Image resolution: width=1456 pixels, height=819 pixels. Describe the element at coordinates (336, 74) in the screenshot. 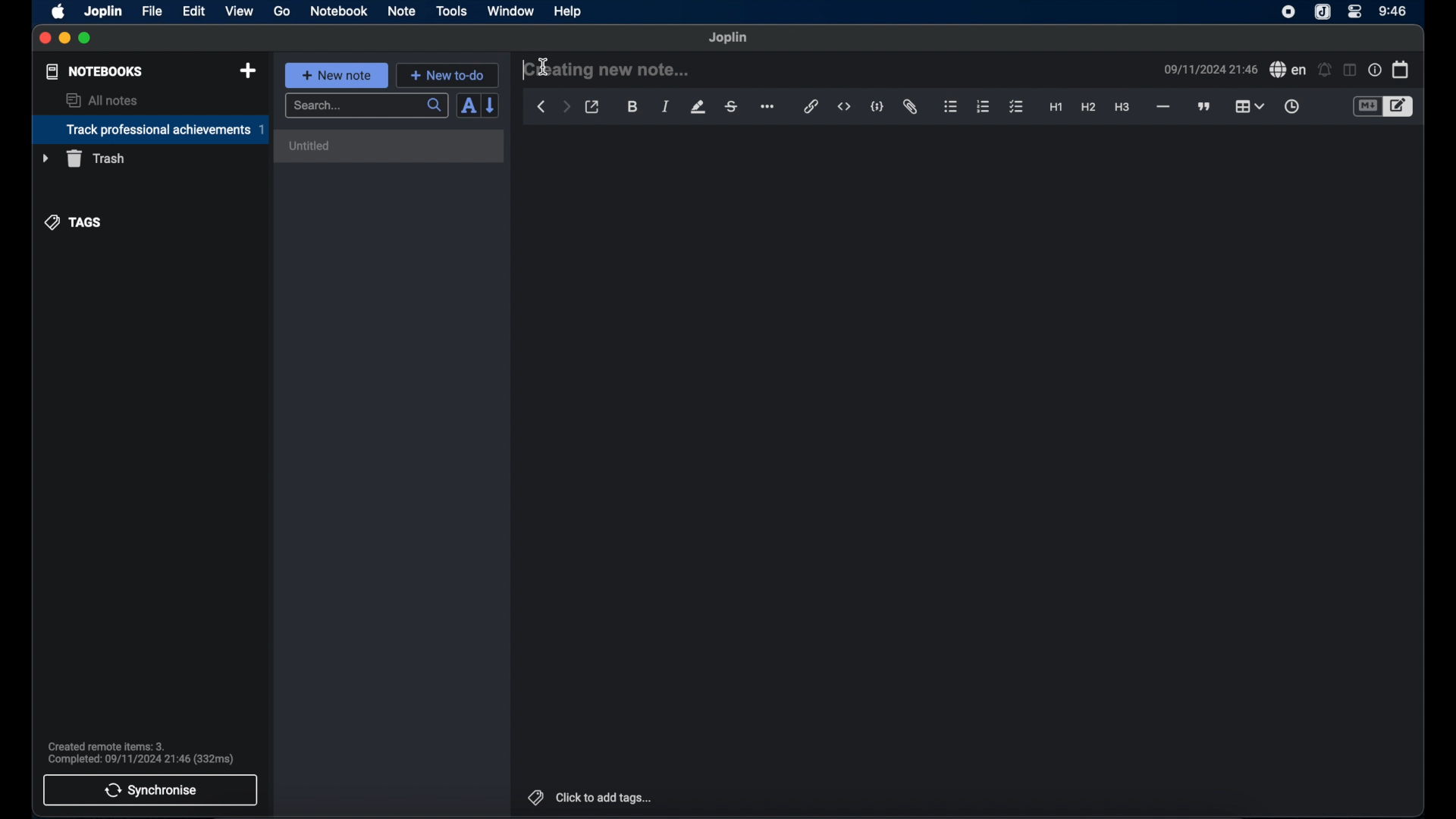

I see `new note` at that location.